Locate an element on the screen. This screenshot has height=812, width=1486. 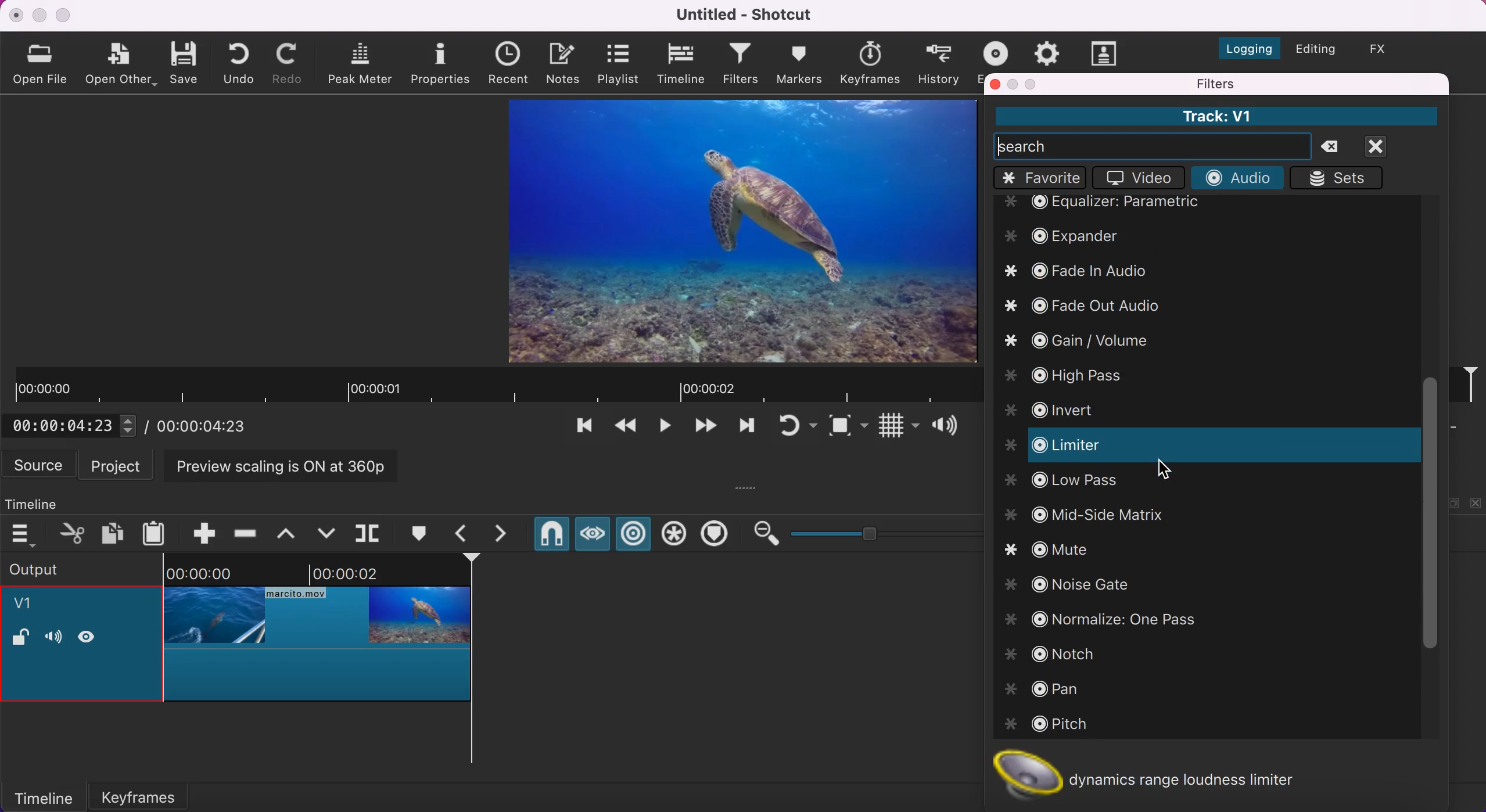
split at playhead is located at coordinates (370, 534).